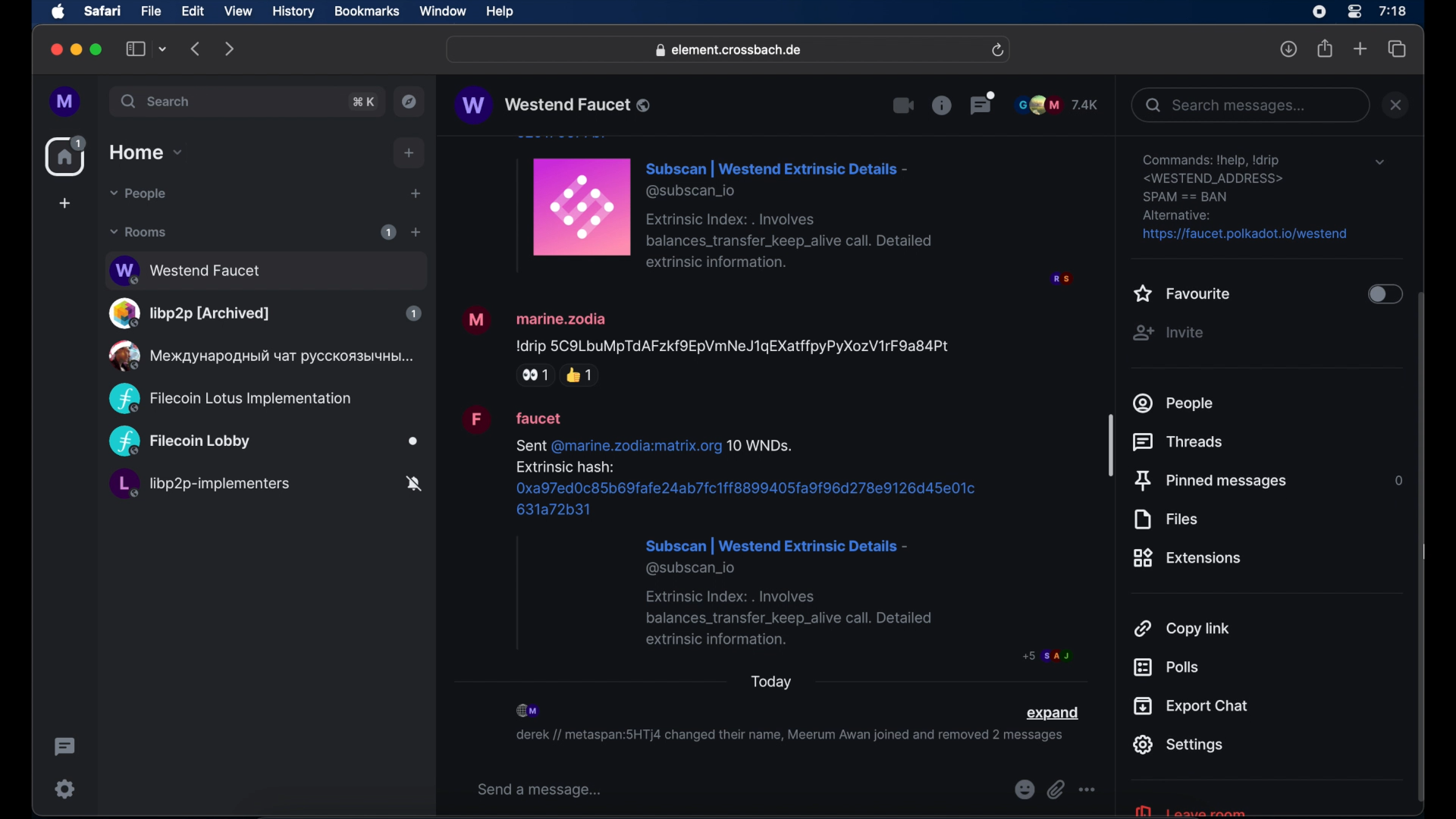 Image resolution: width=1456 pixels, height=819 pixels. I want to click on scroll box, so click(1111, 444).